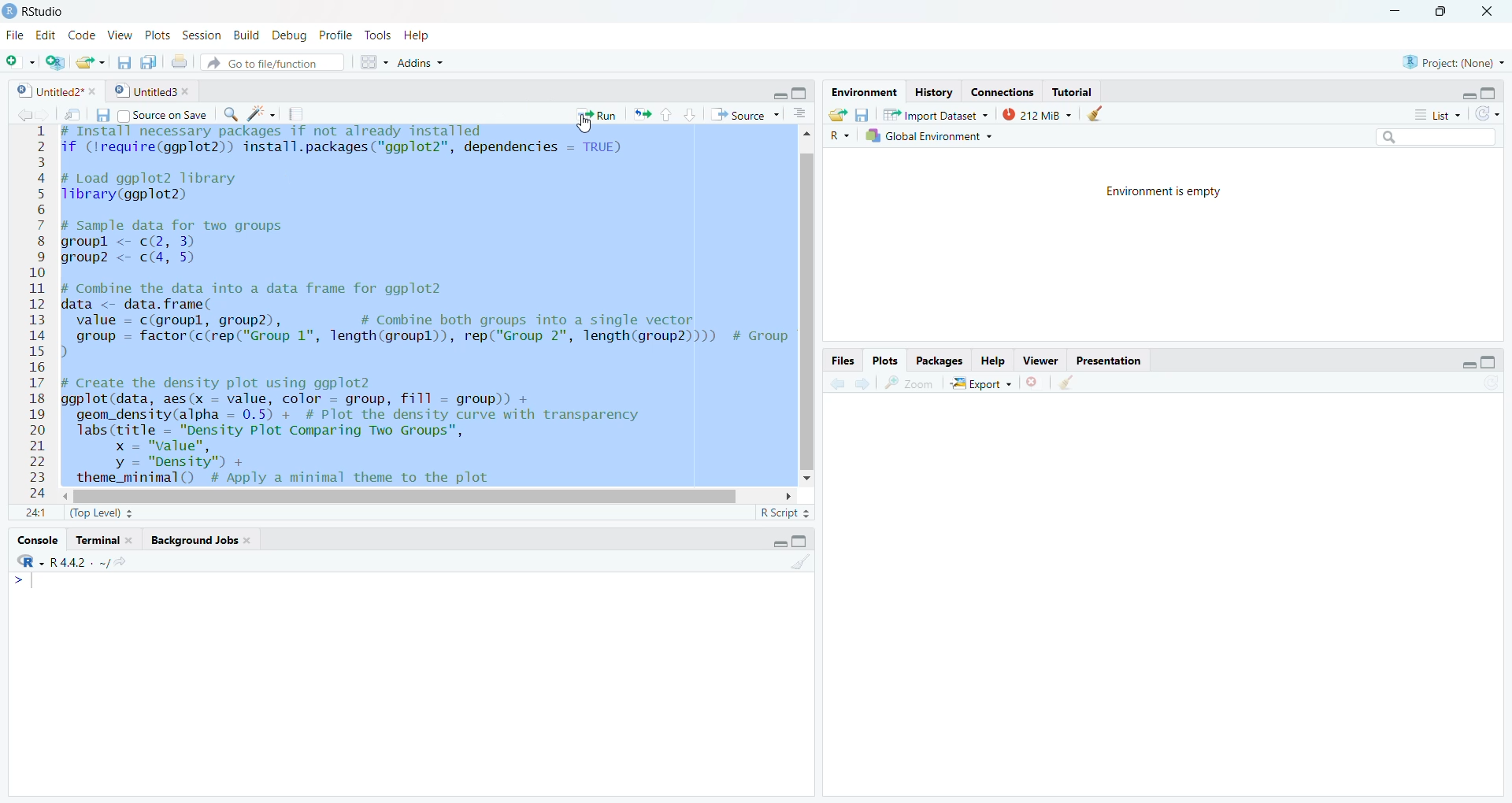 This screenshot has height=803, width=1512. Describe the element at coordinates (75, 563) in the screenshot. I see `R .R.4.4.2` at that location.